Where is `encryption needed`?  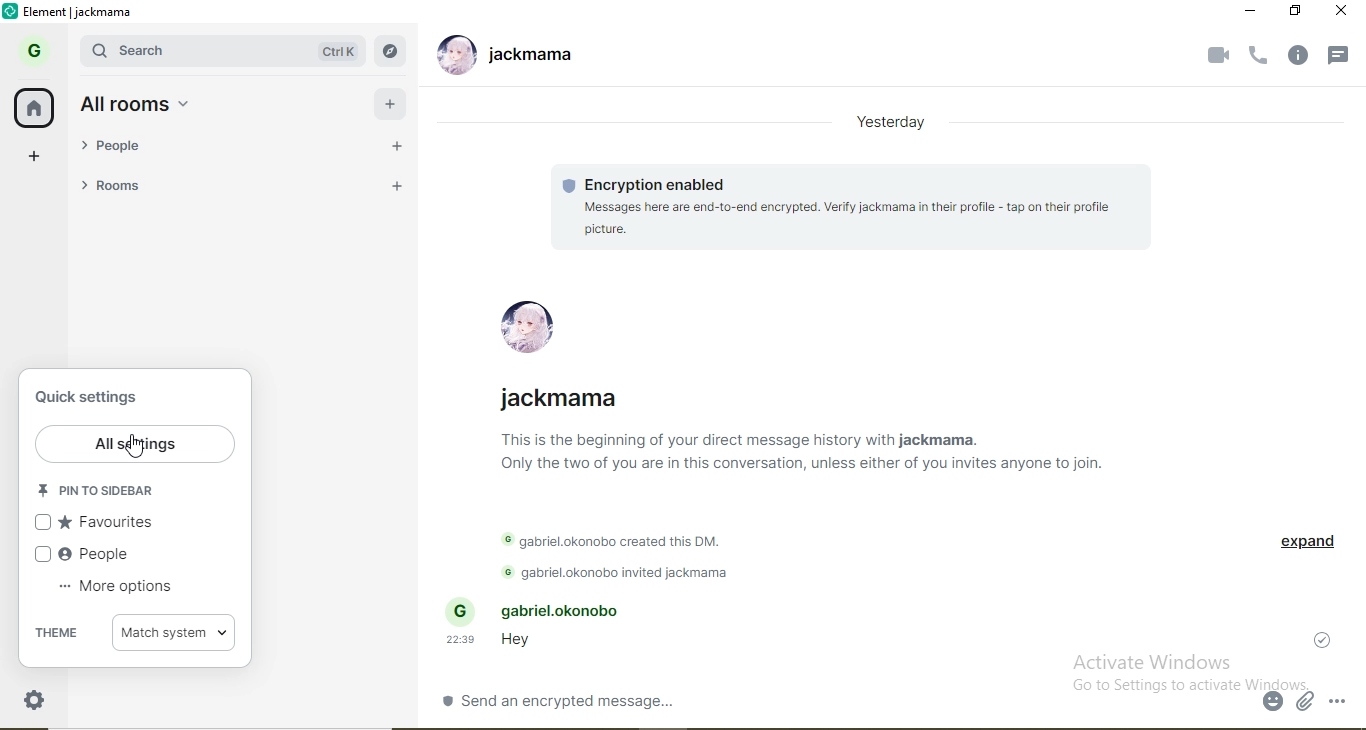
encryption needed is located at coordinates (647, 183).